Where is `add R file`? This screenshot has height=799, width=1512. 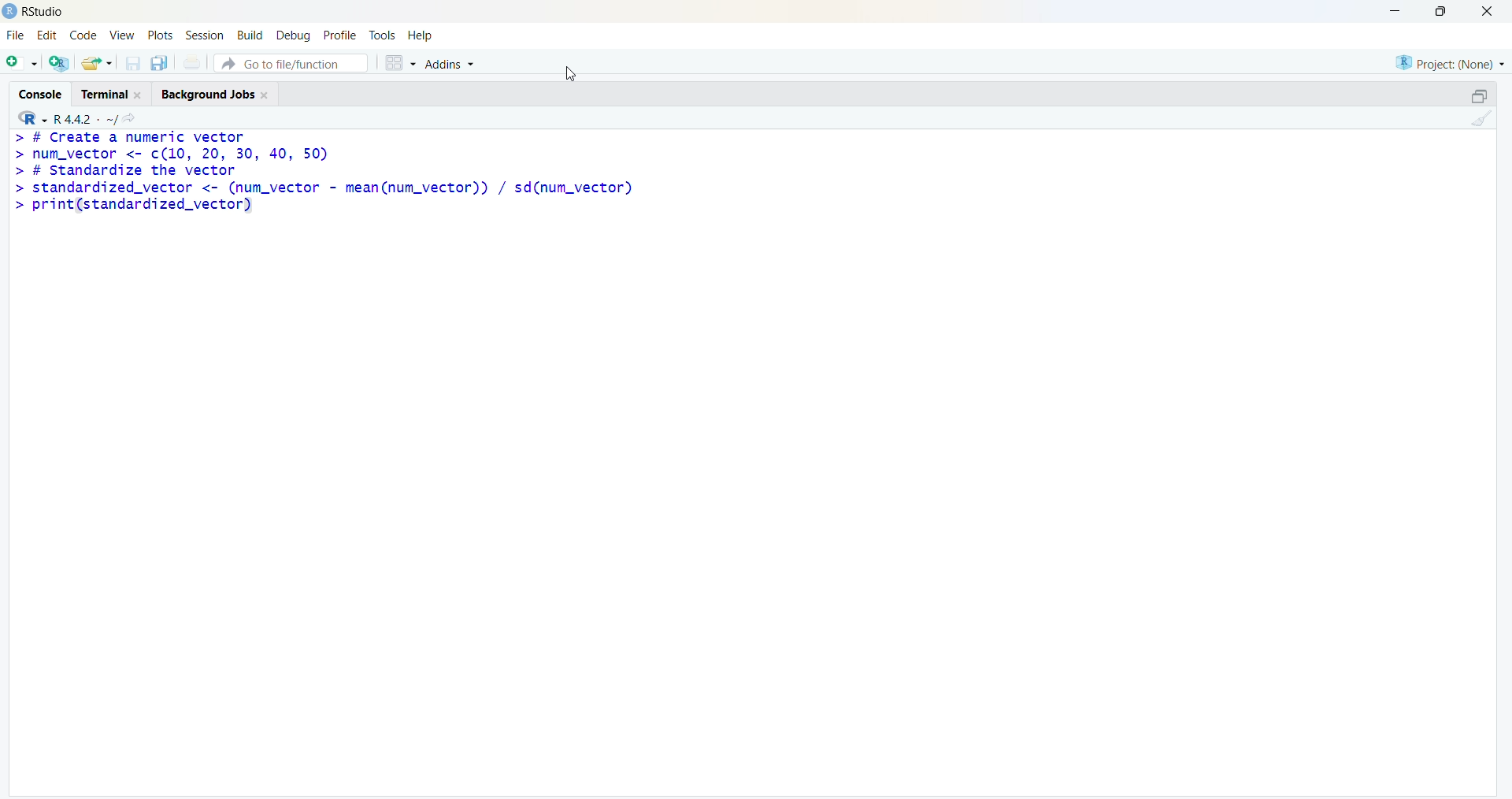
add R file is located at coordinates (60, 64).